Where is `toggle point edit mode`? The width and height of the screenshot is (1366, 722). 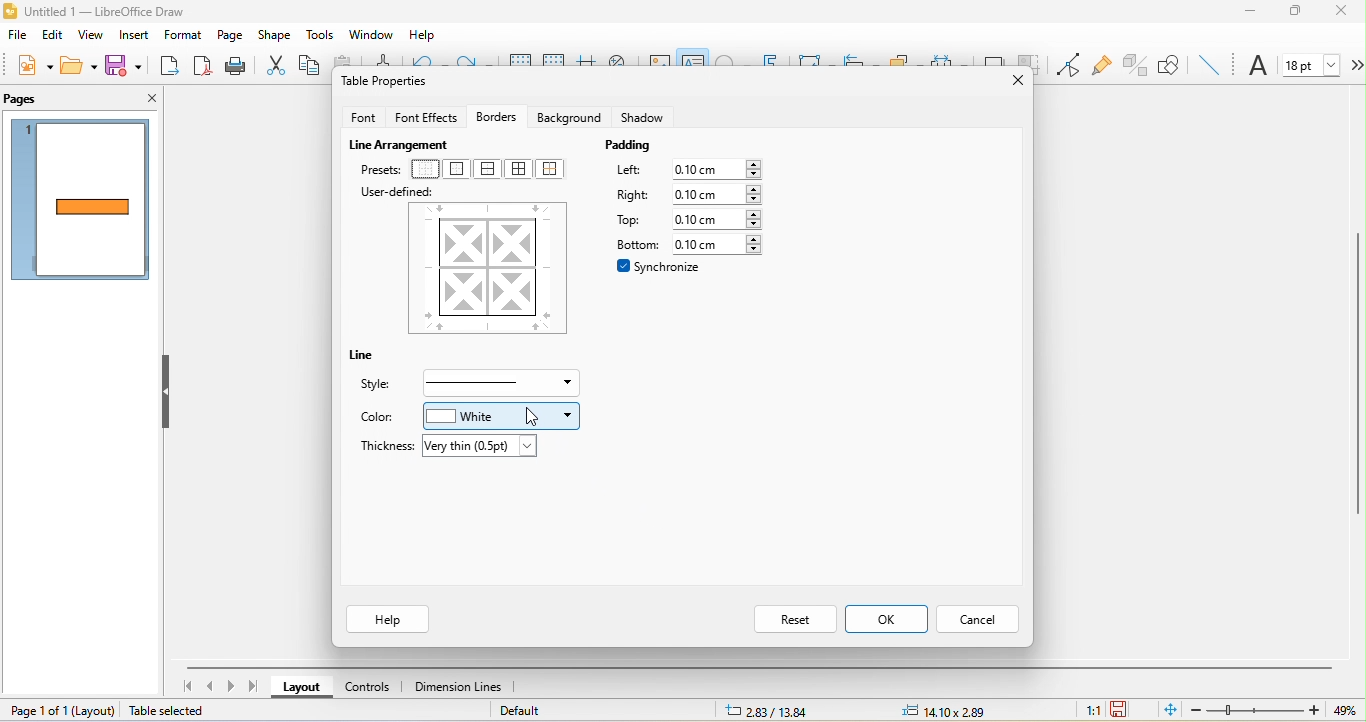
toggle point edit mode is located at coordinates (1070, 65).